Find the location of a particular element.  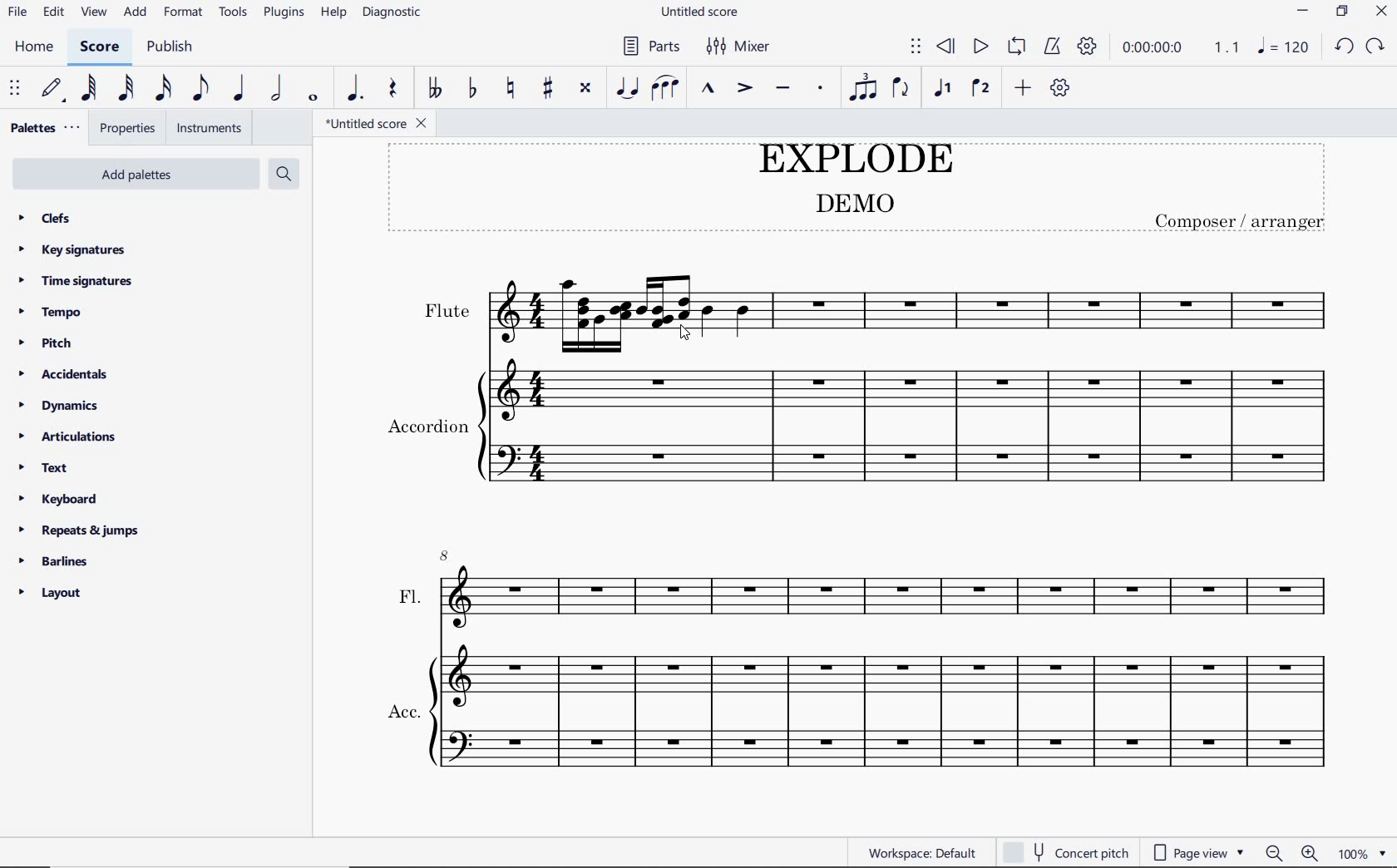

FL is located at coordinates (863, 590).